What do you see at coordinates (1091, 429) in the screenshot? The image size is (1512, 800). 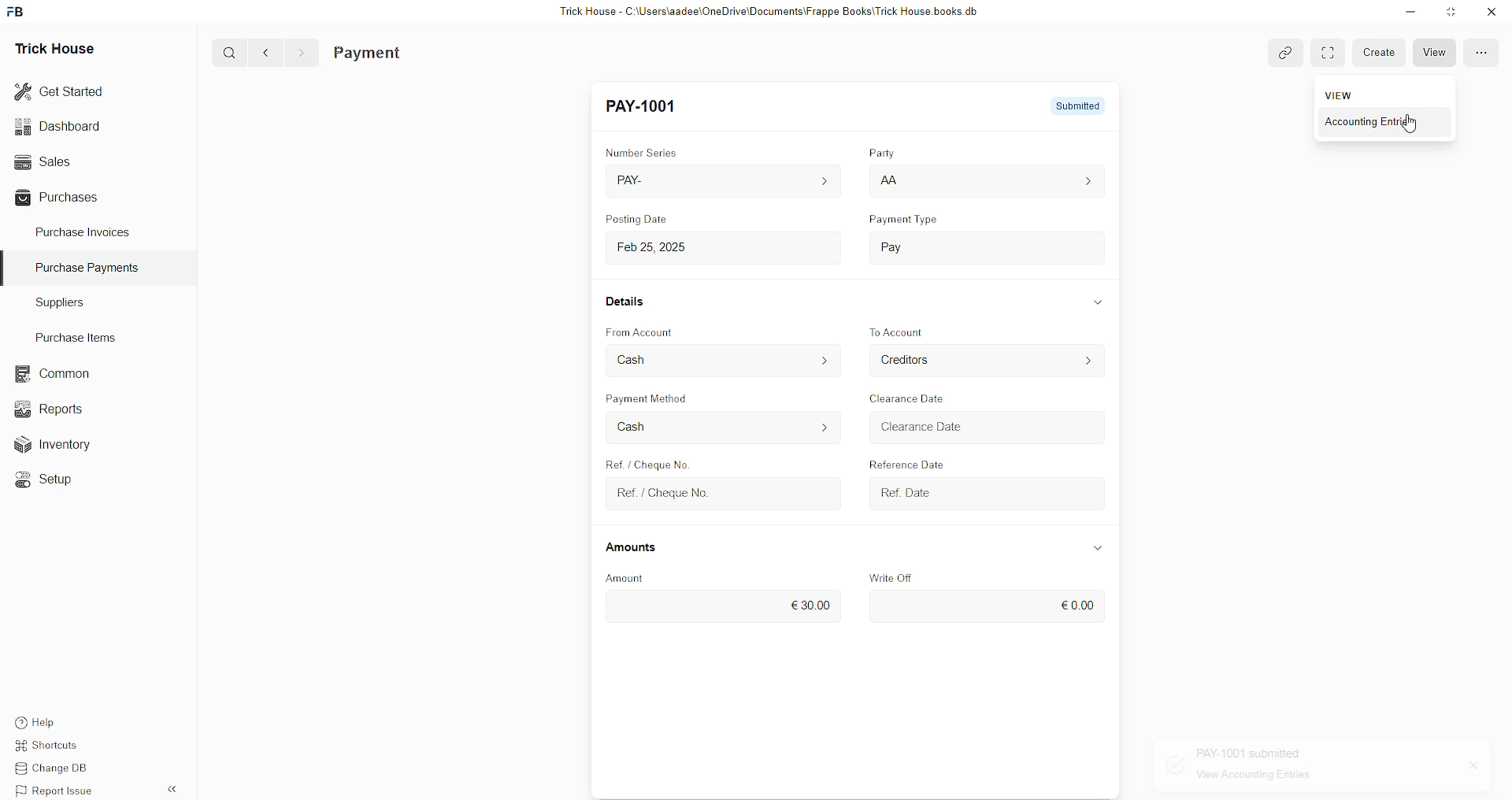 I see `calendar` at bounding box center [1091, 429].